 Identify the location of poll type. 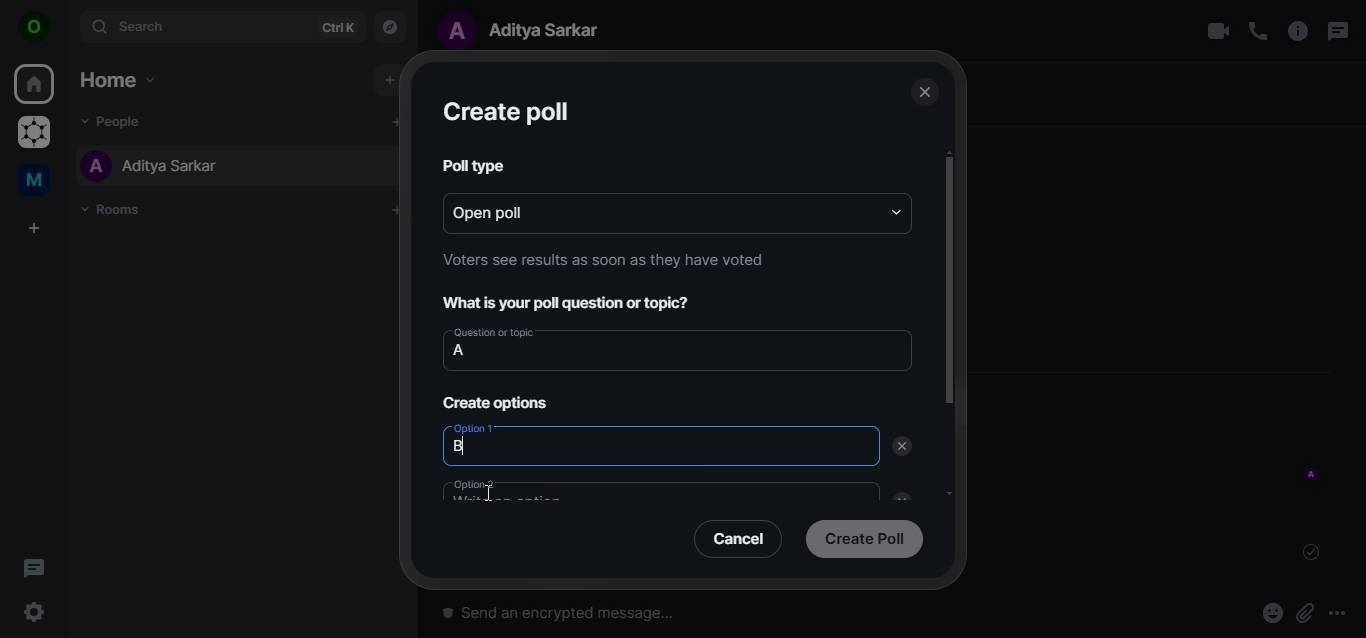
(470, 164).